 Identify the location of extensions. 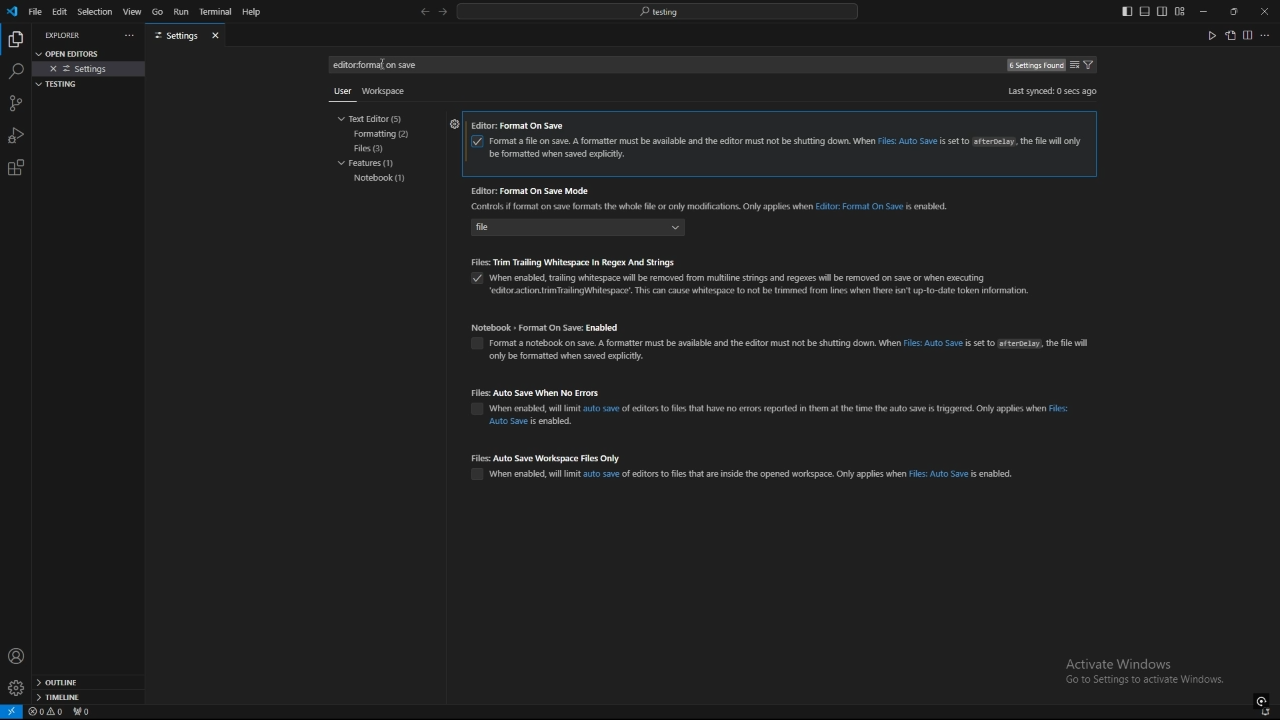
(16, 168).